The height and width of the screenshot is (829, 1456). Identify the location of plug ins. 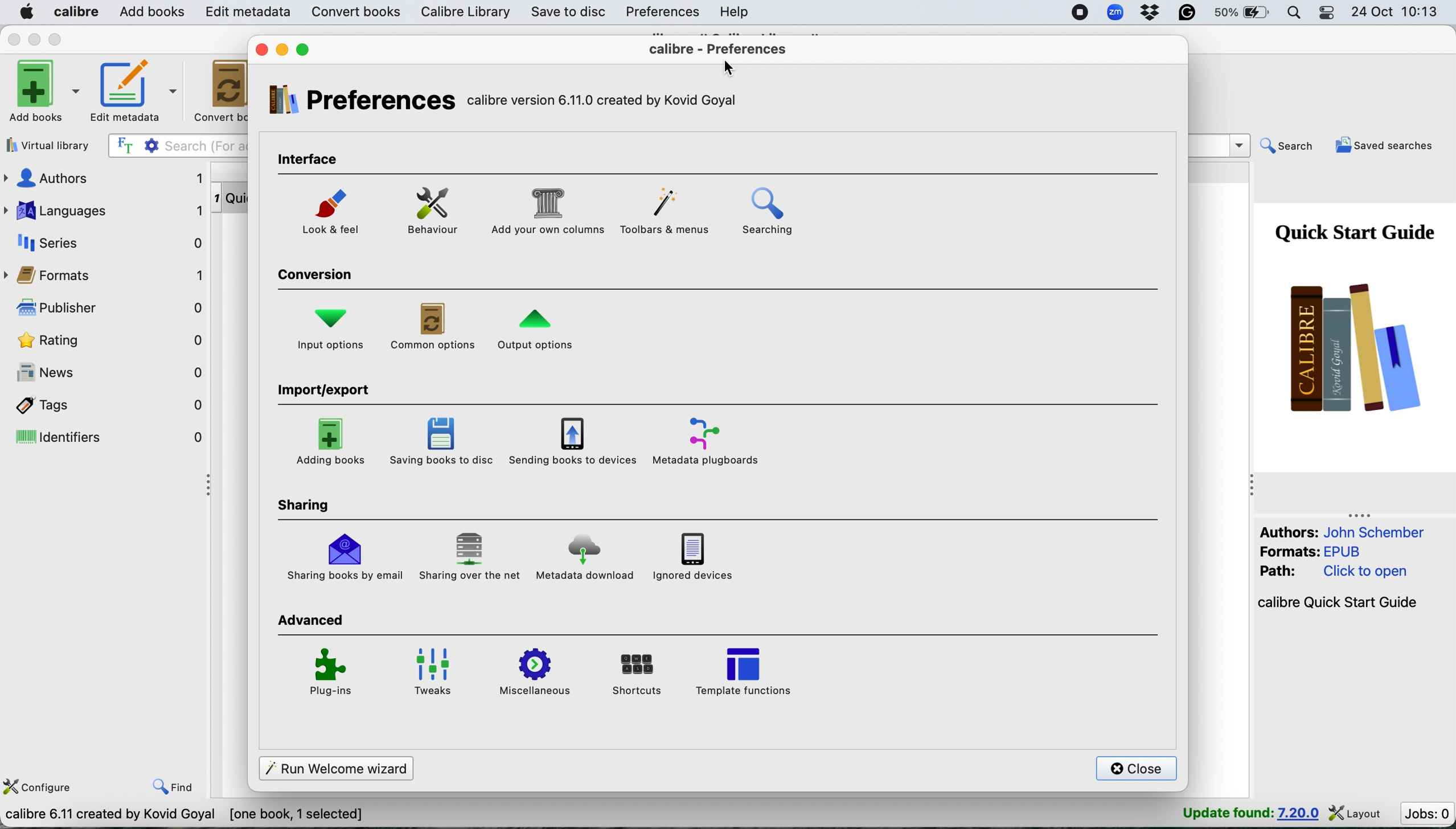
(332, 673).